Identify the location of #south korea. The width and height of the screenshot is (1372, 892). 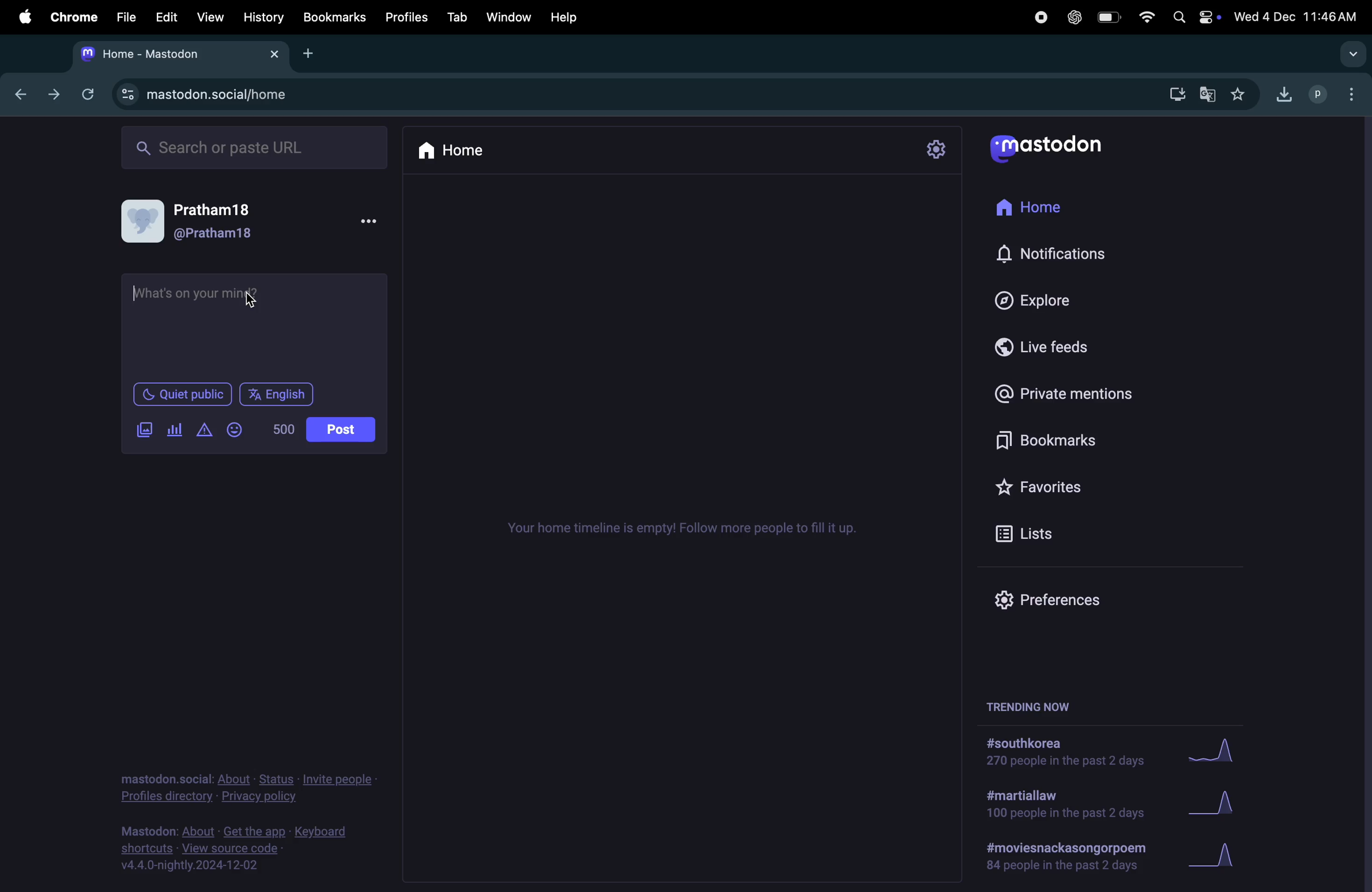
(1062, 752).